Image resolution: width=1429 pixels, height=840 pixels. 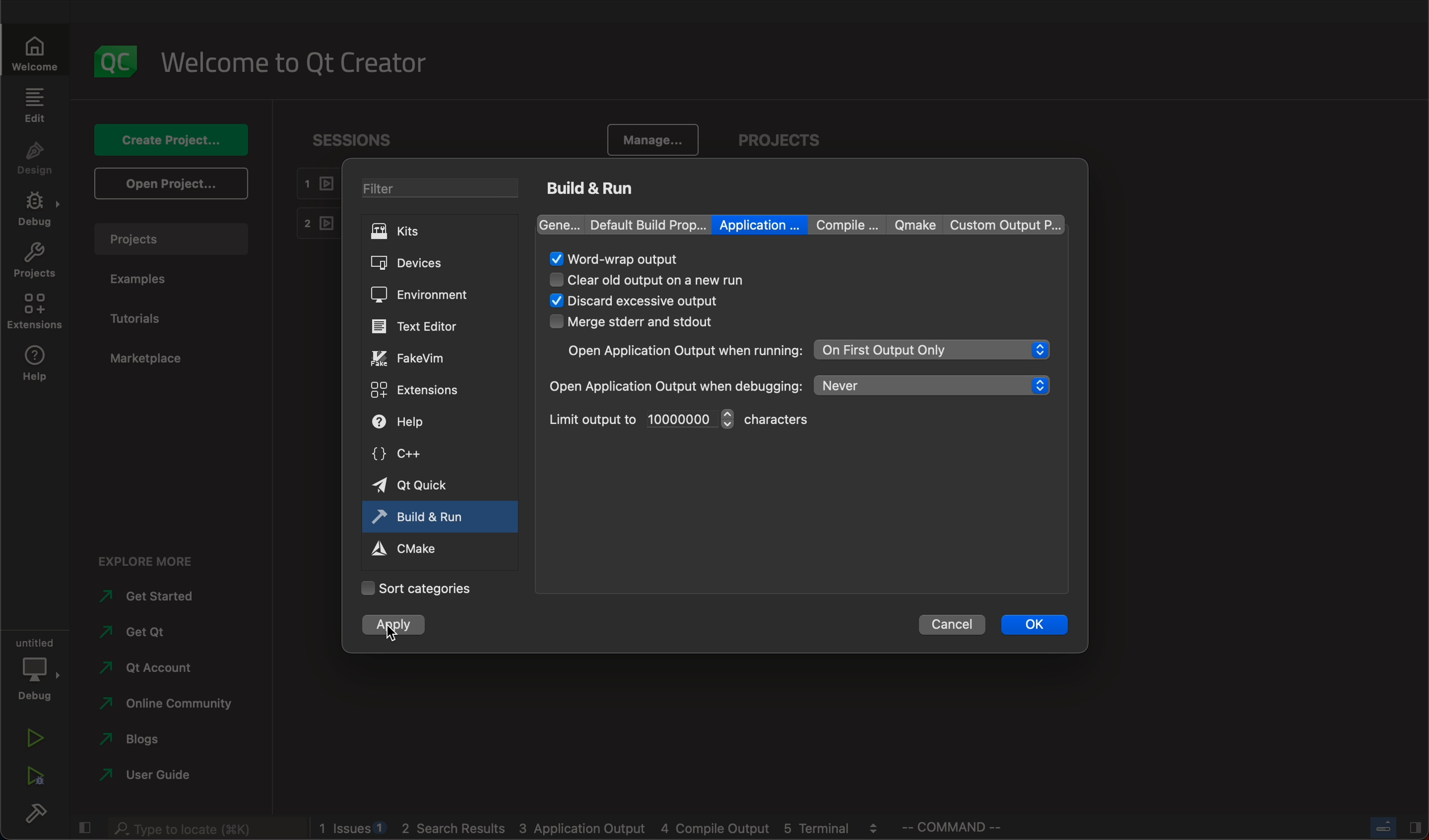 I want to click on started, so click(x=154, y=597).